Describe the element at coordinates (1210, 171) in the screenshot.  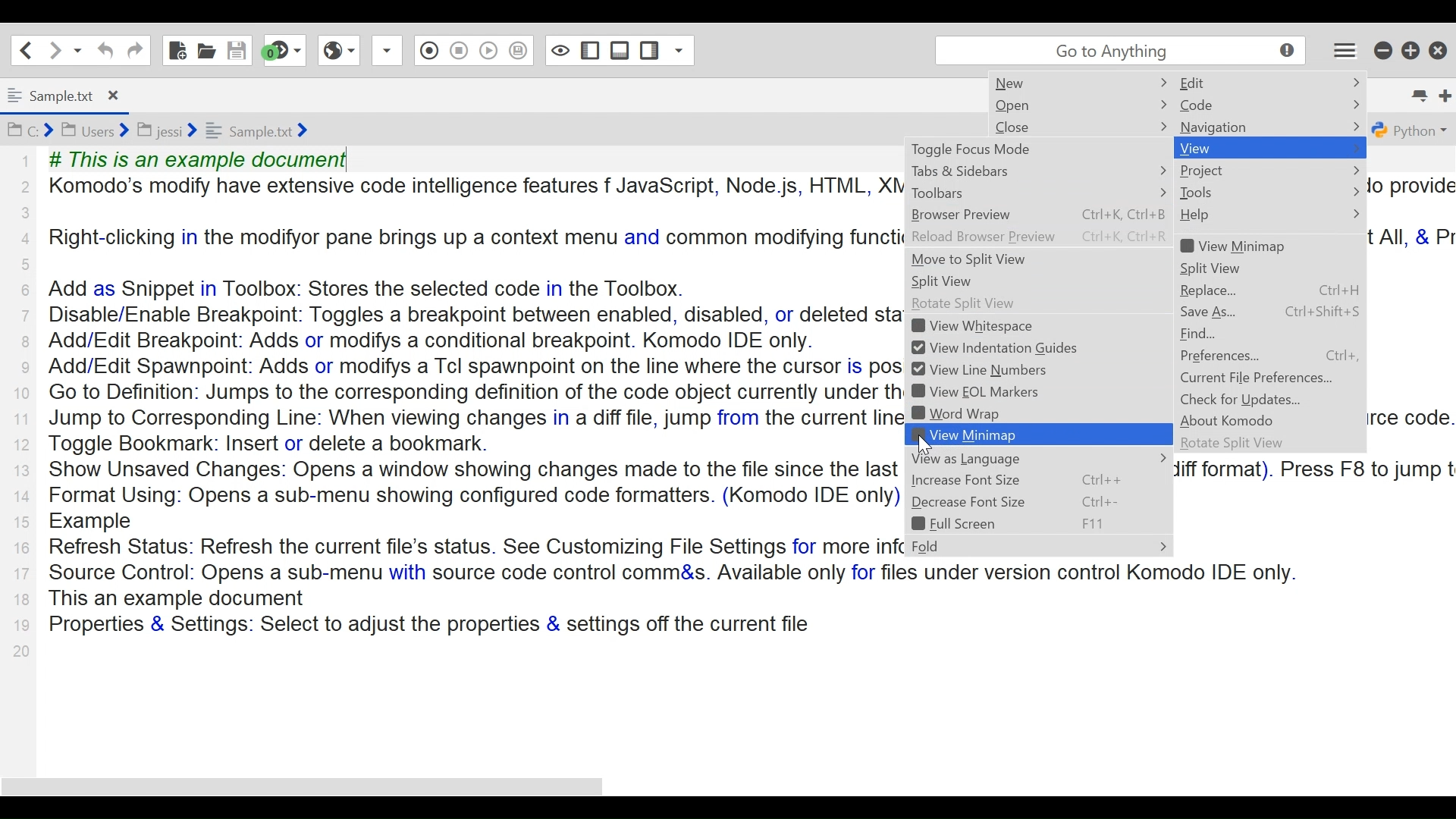
I see `Project` at that location.